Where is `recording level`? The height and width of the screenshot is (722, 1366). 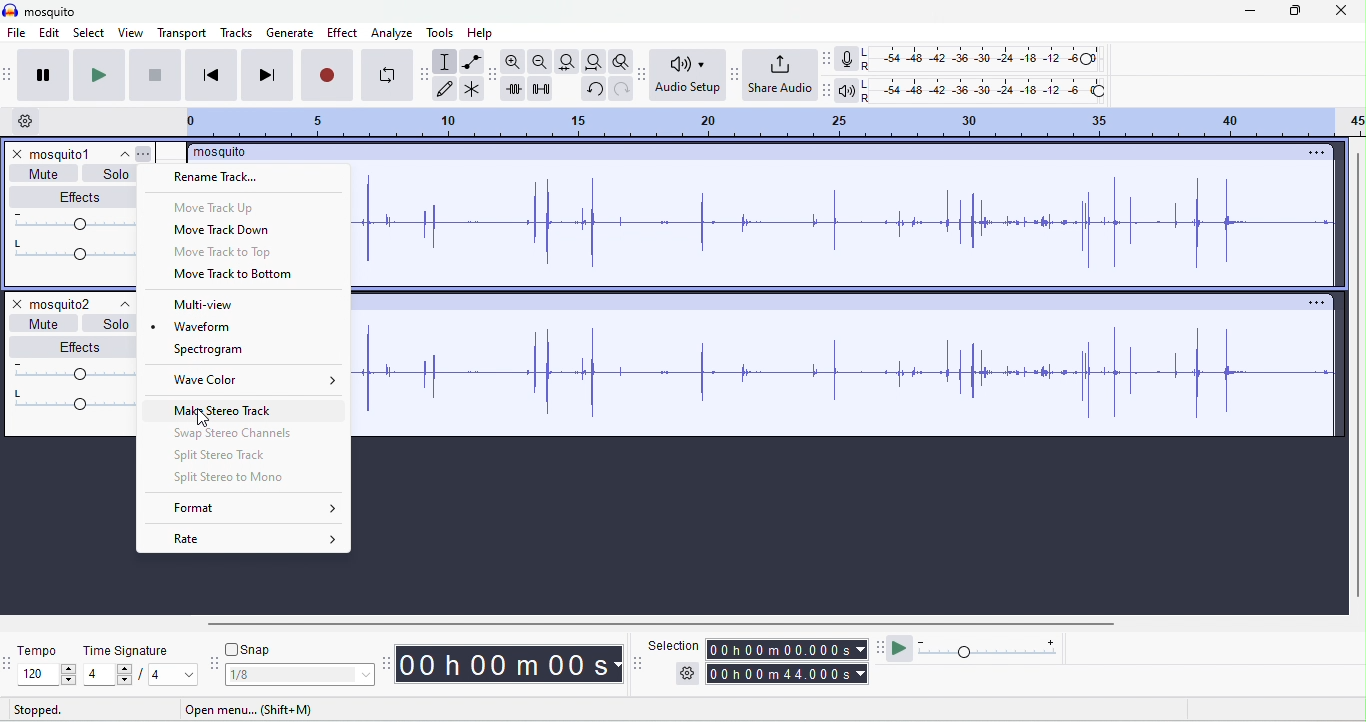
recording level is located at coordinates (980, 58).